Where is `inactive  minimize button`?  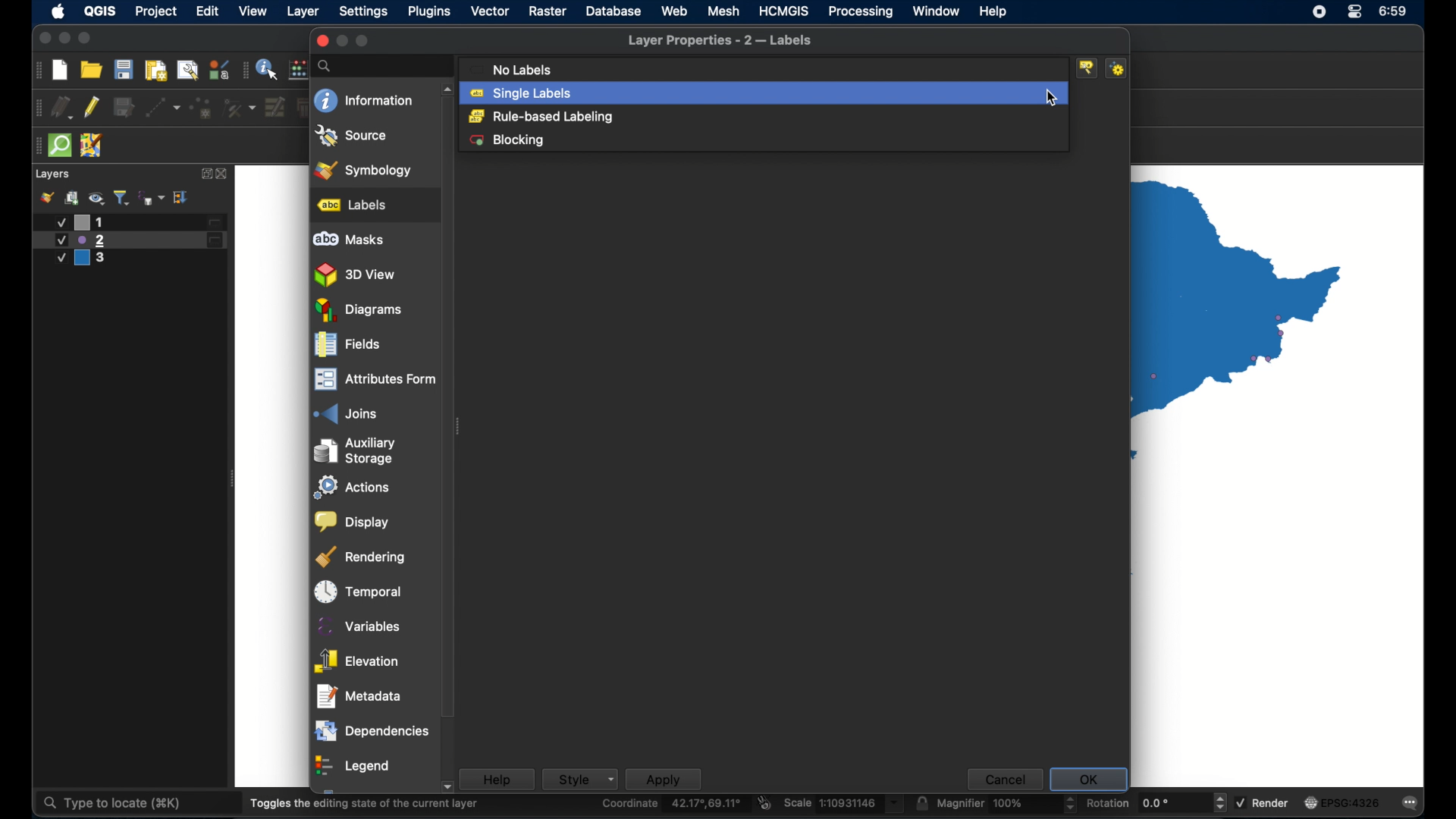 inactive  minimize button is located at coordinates (342, 41).